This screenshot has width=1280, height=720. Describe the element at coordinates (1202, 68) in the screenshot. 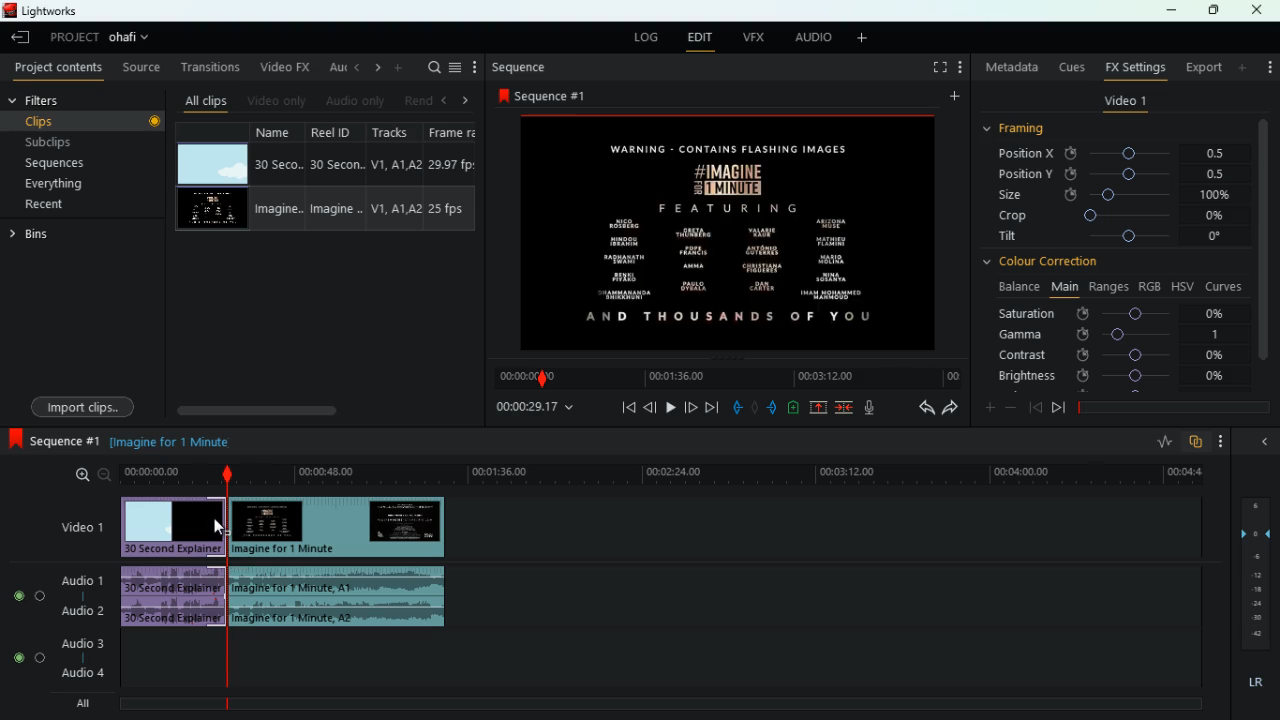

I see `export` at that location.